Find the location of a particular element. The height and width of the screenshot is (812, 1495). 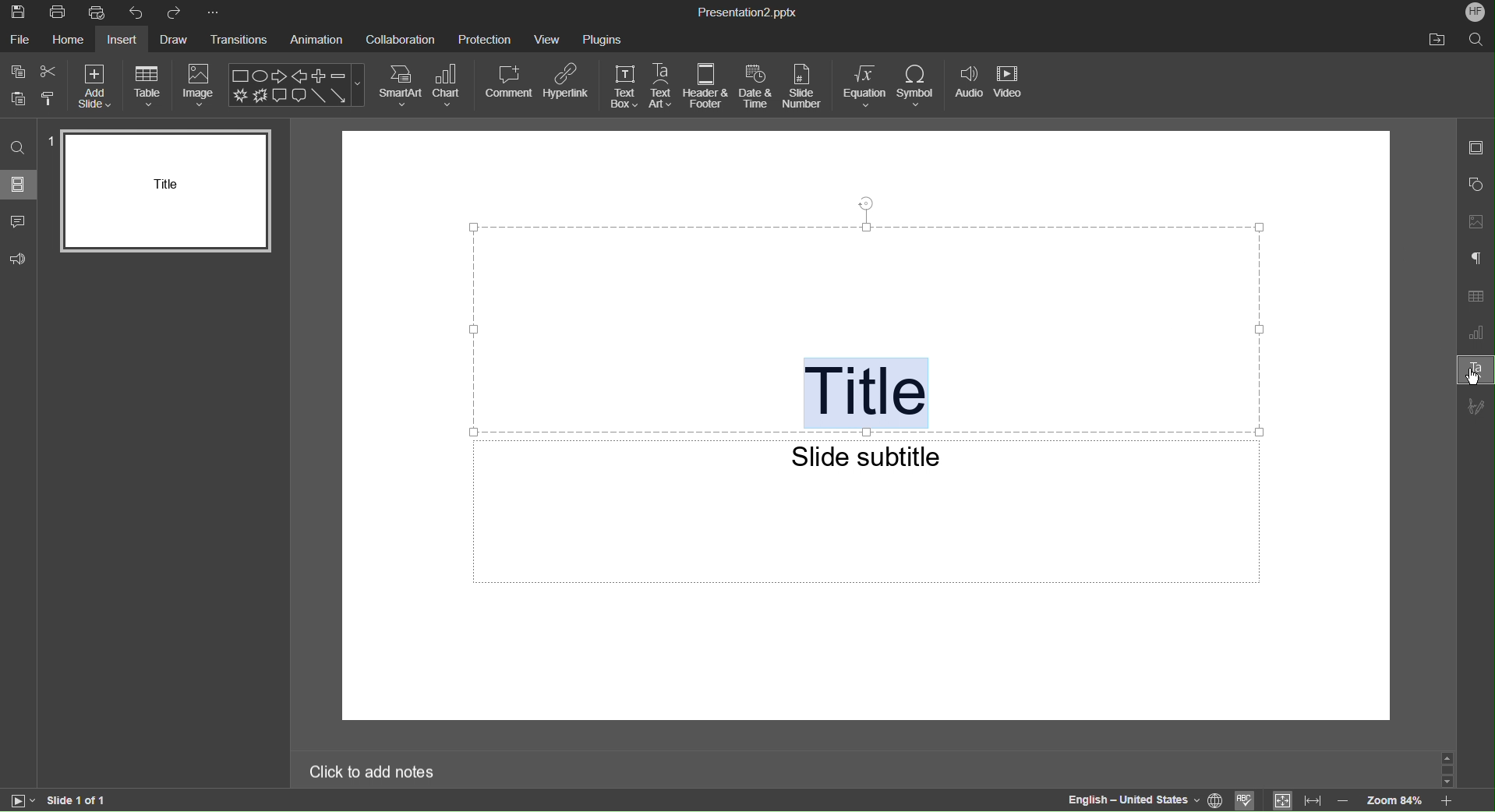

set document language is located at coordinates (1217, 799).